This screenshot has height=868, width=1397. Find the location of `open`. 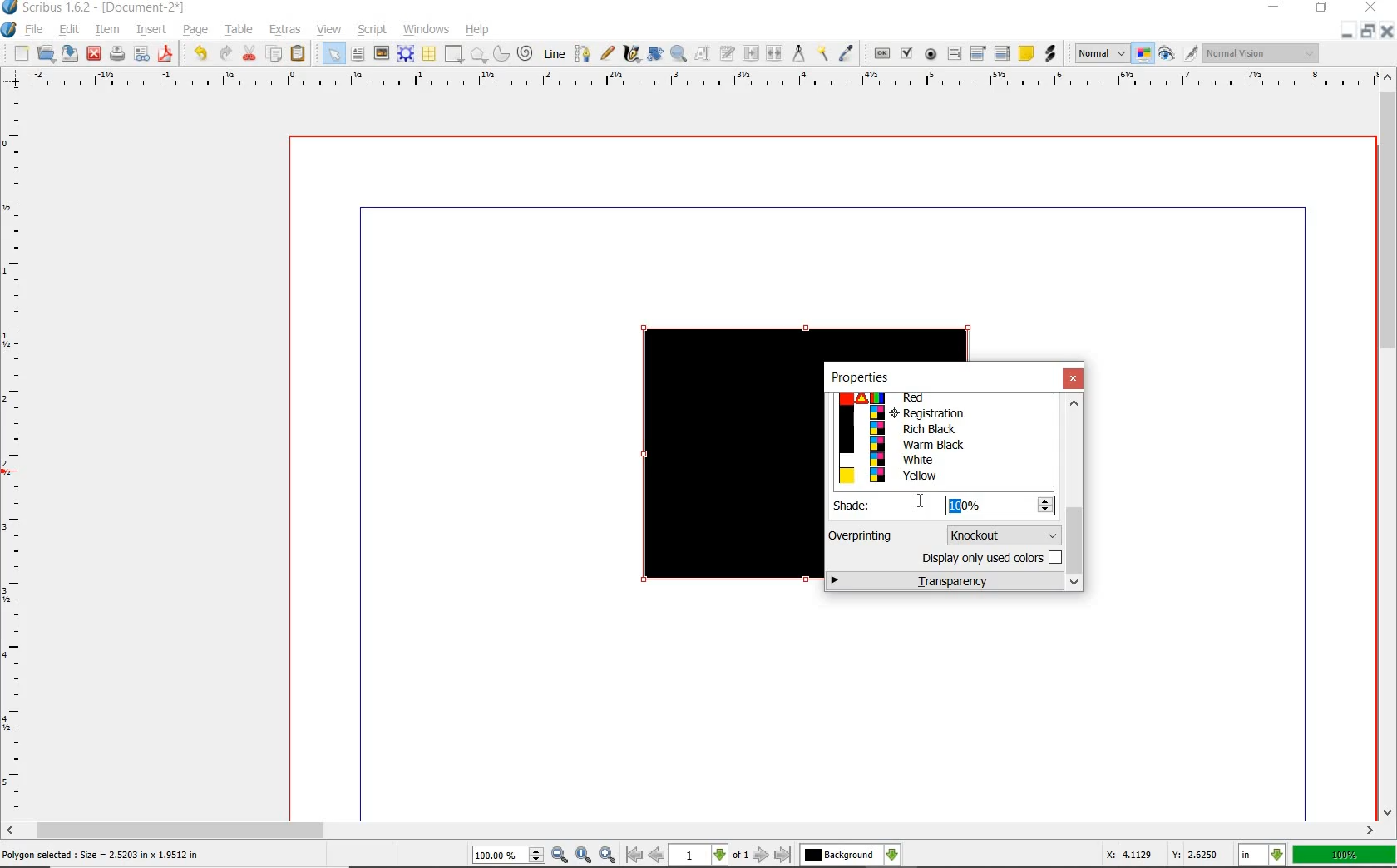

open is located at coordinates (45, 55).